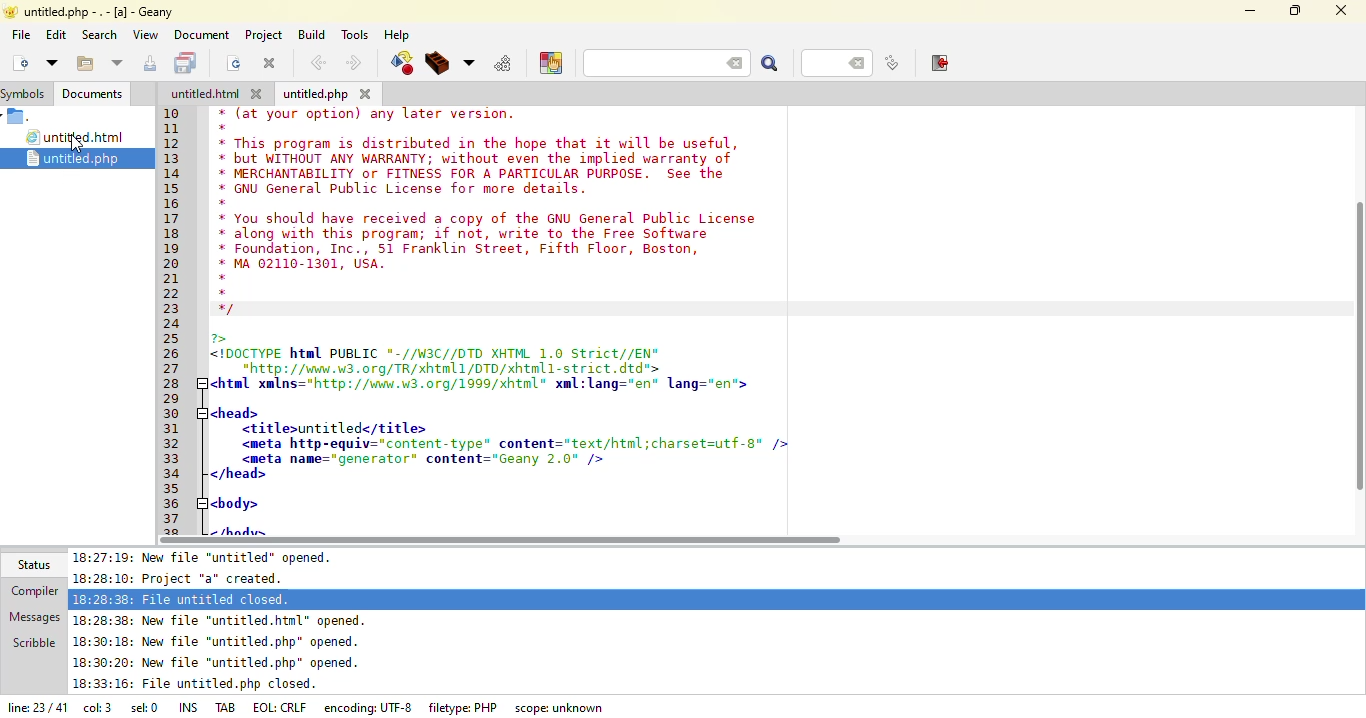  I want to click on sel, so click(140, 706).